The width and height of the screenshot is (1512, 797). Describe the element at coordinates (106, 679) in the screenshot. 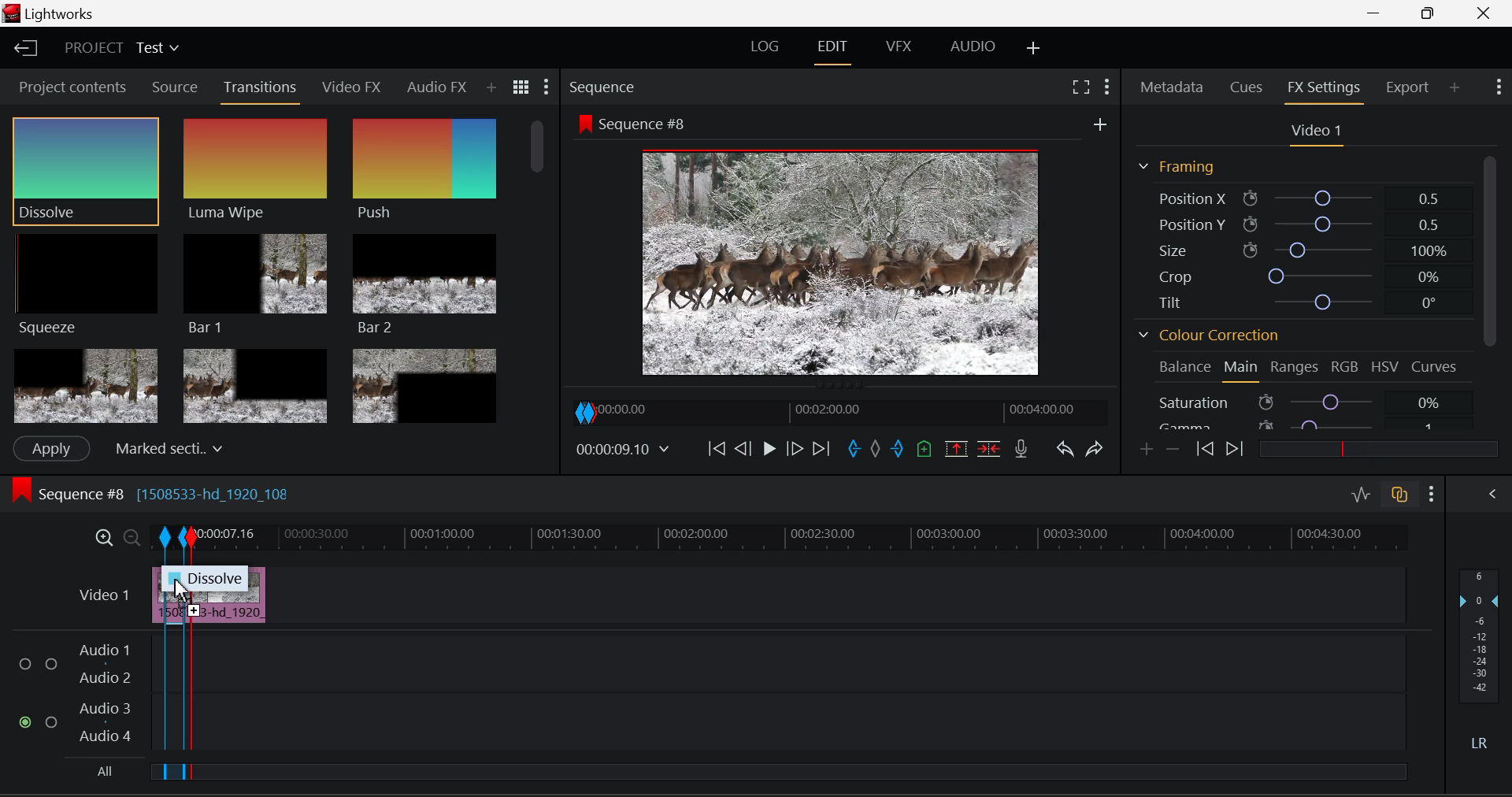

I see `Audio 2` at that location.